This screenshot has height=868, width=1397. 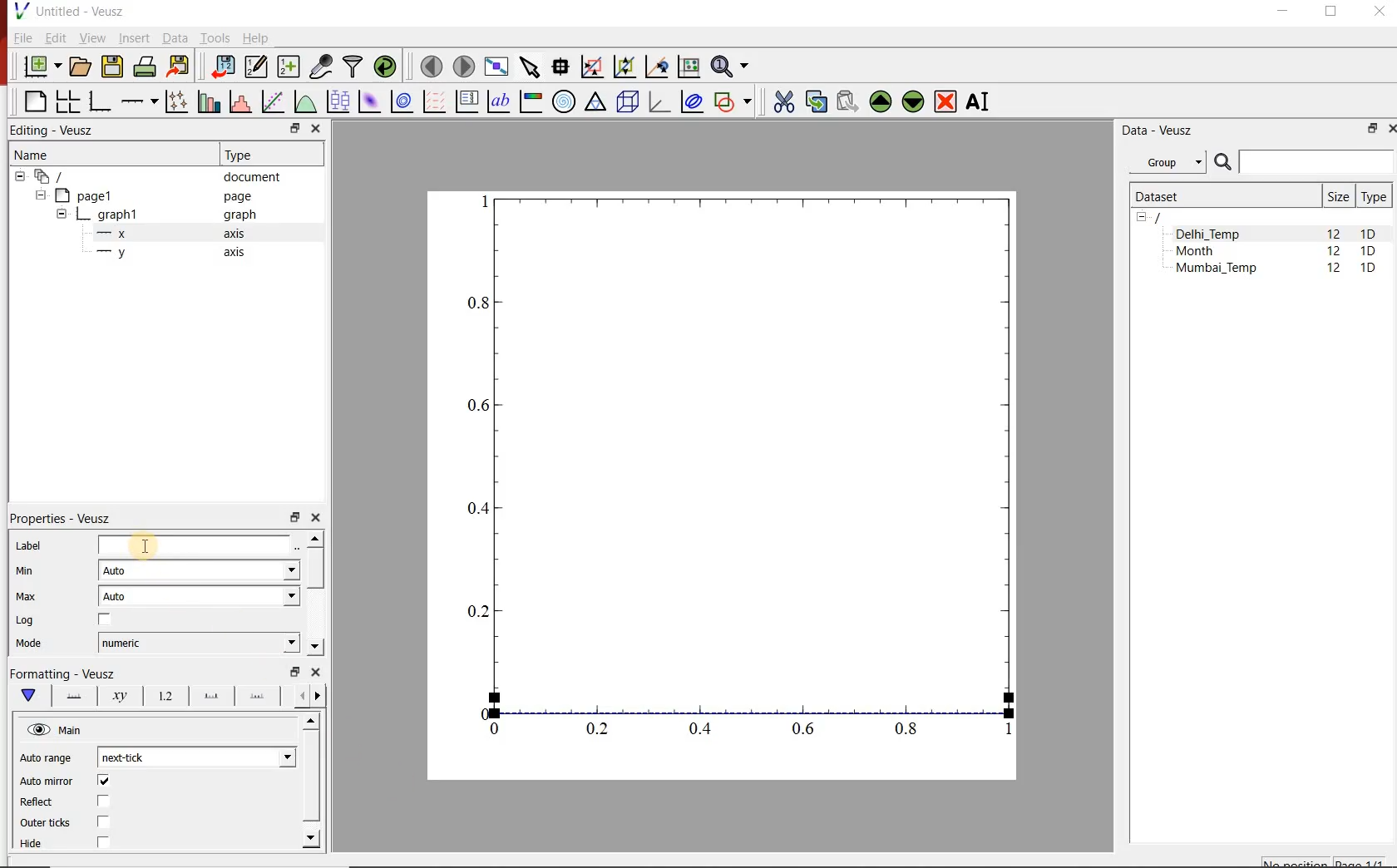 What do you see at coordinates (46, 824) in the screenshot?
I see `outer ticks` at bounding box center [46, 824].